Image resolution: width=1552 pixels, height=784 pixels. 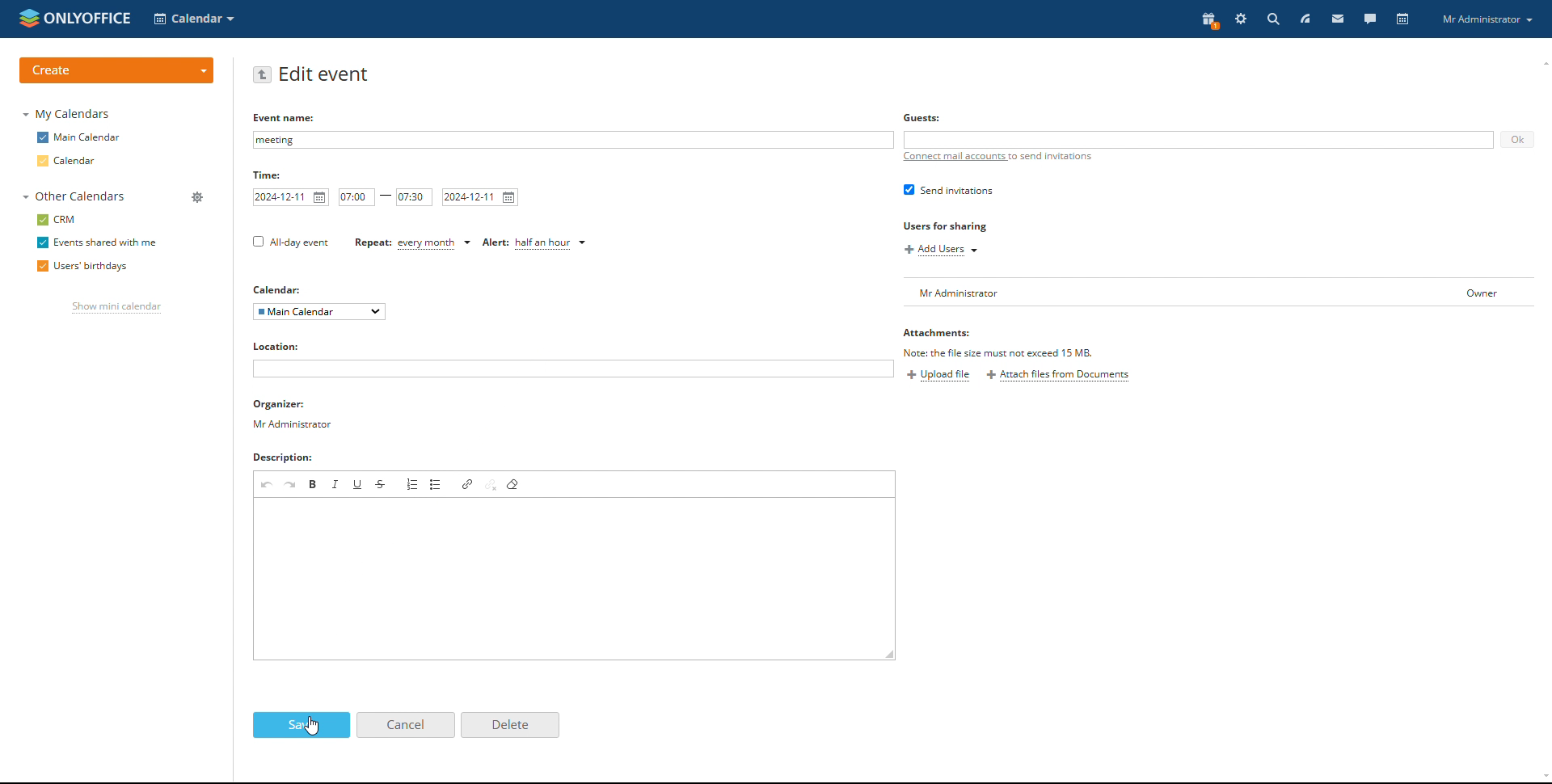 I want to click on my calendars, so click(x=67, y=115).